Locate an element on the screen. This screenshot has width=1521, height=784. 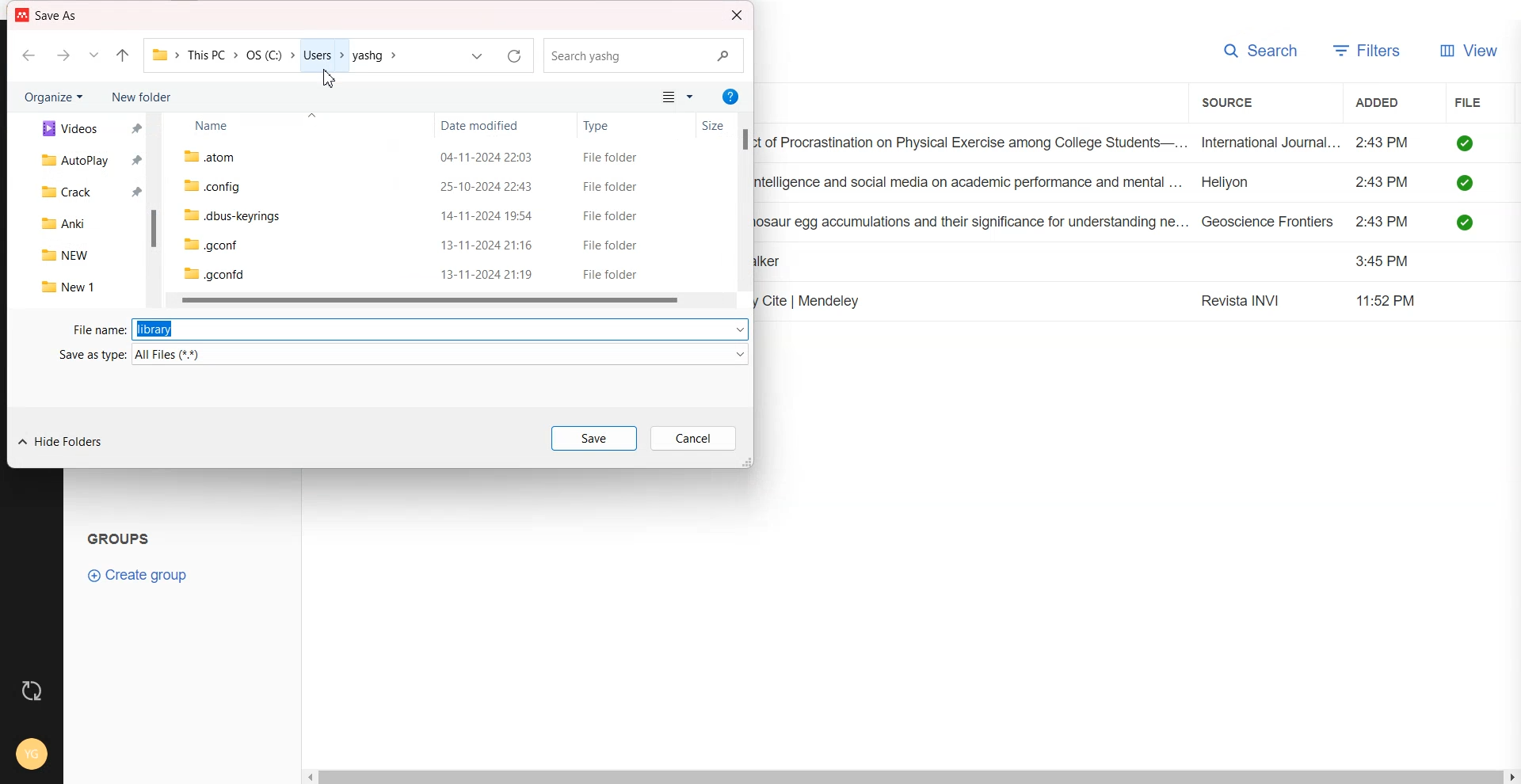
Vertical scroll bar is located at coordinates (155, 211).